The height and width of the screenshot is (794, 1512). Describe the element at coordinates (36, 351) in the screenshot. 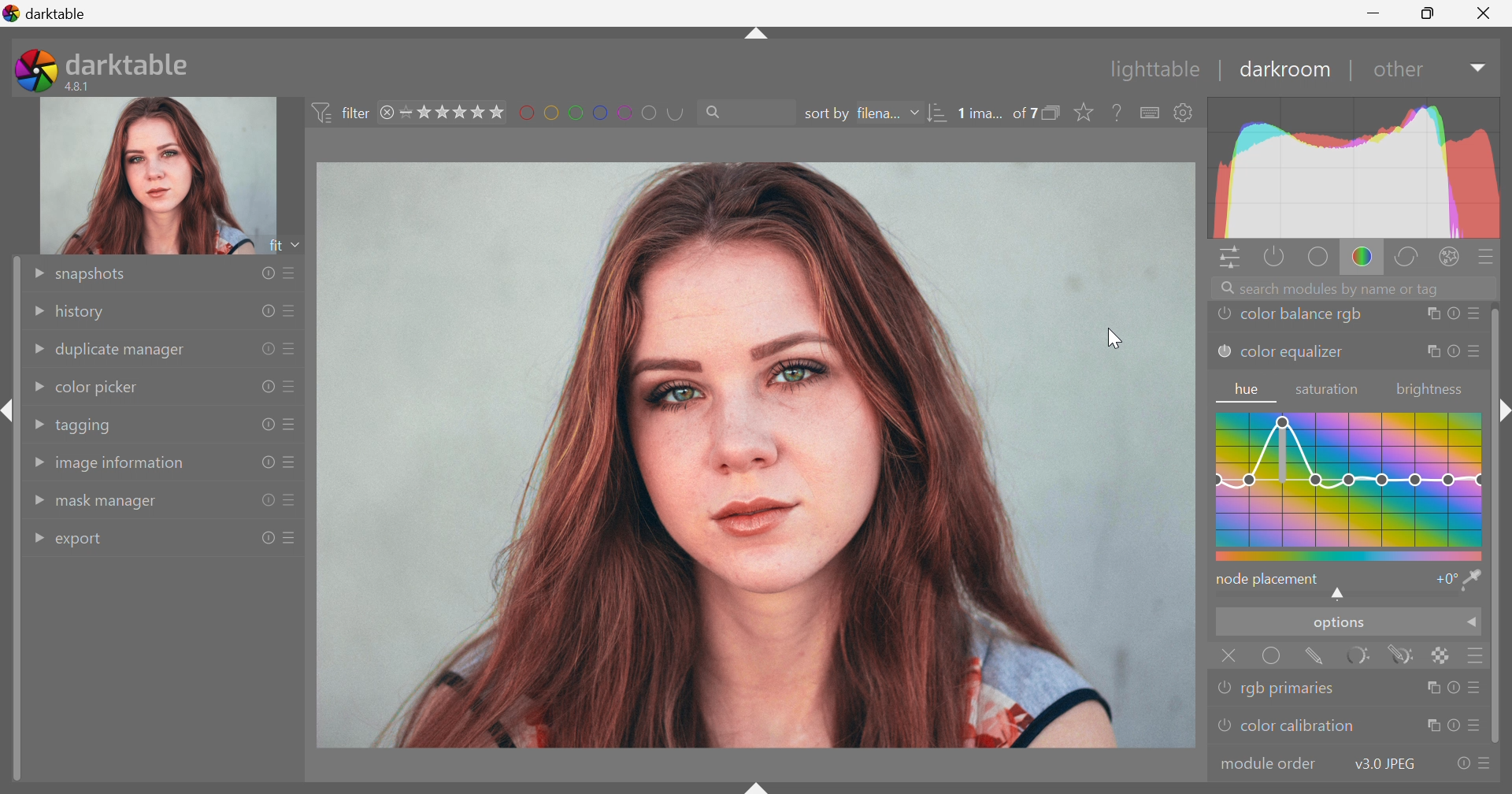

I see `Drop Down` at that location.